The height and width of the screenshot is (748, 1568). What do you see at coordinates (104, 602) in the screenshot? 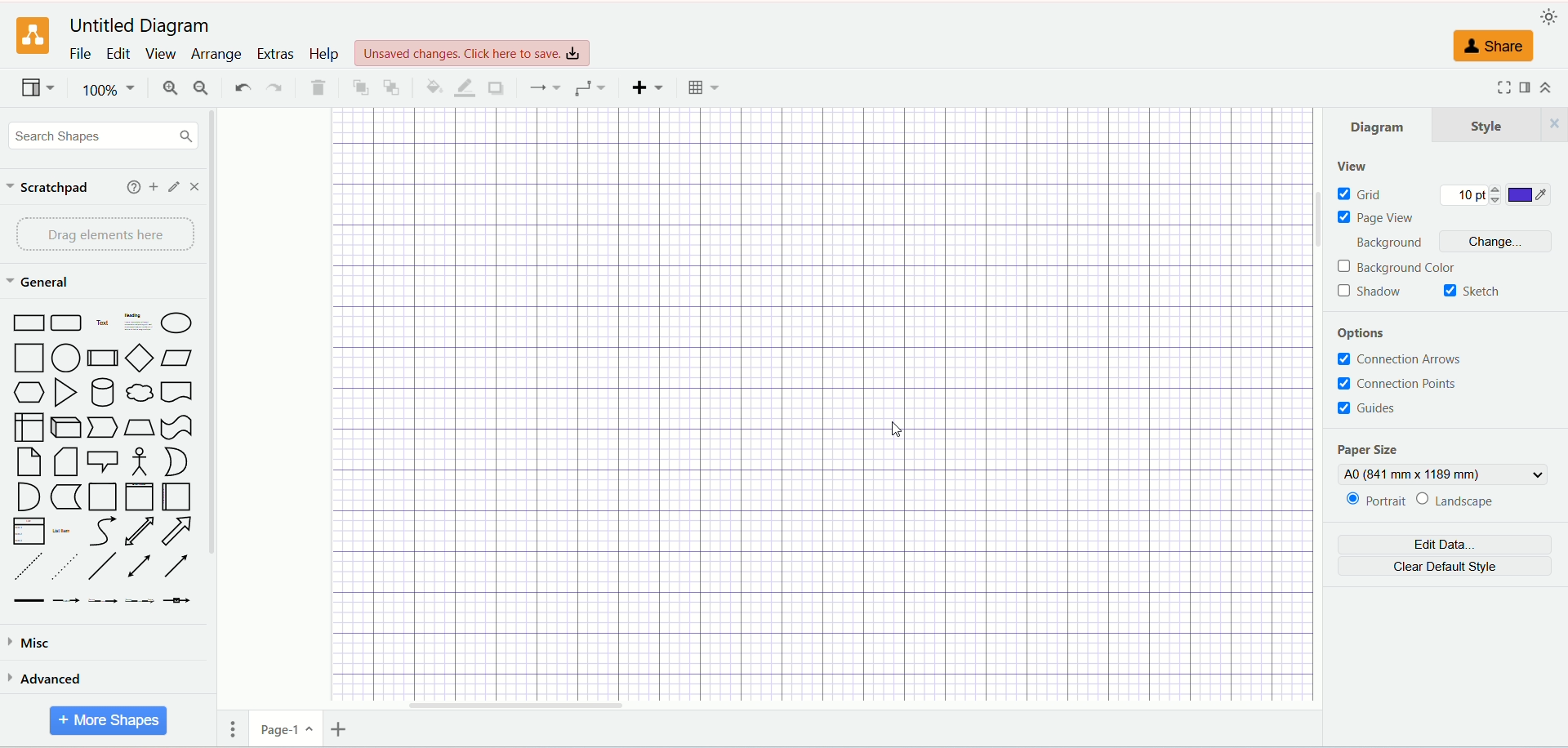
I see `Connector with 2 Labels` at bounding box center [104, 602].